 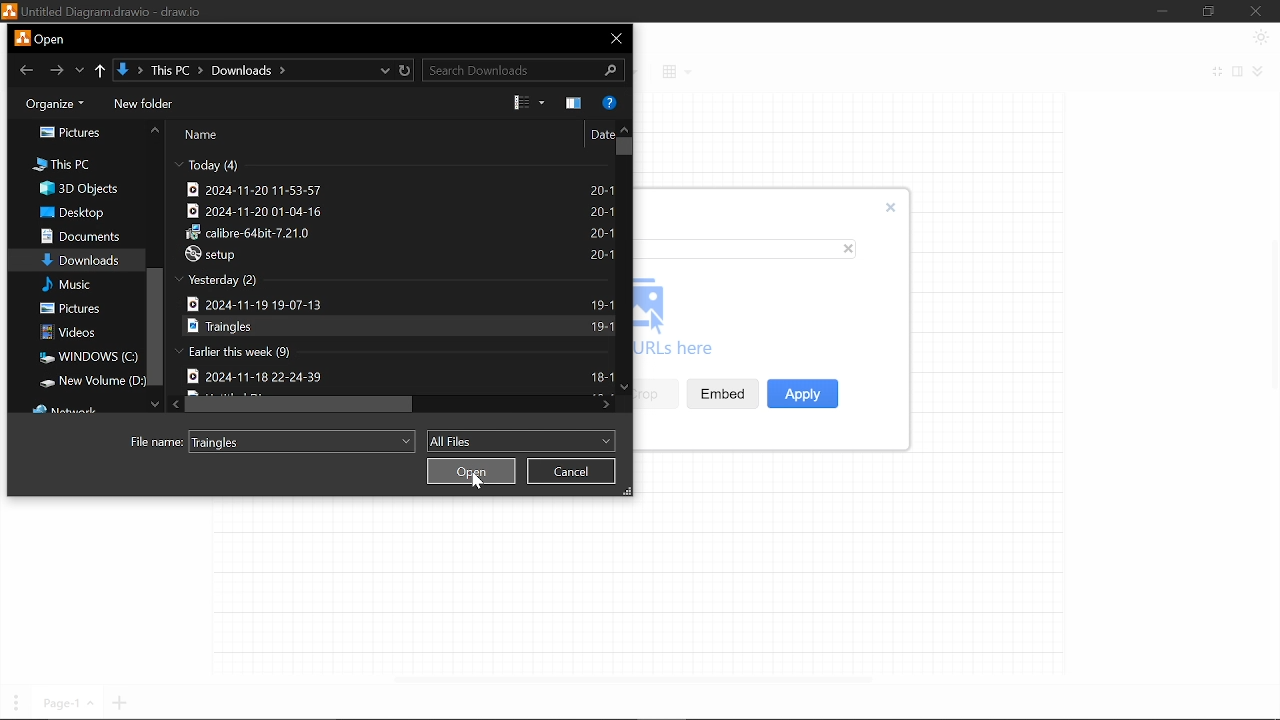 What do you see at coordinates (1262, 37) in the screenshot?
I see `Appearence` at bounding box center [1262, 37].